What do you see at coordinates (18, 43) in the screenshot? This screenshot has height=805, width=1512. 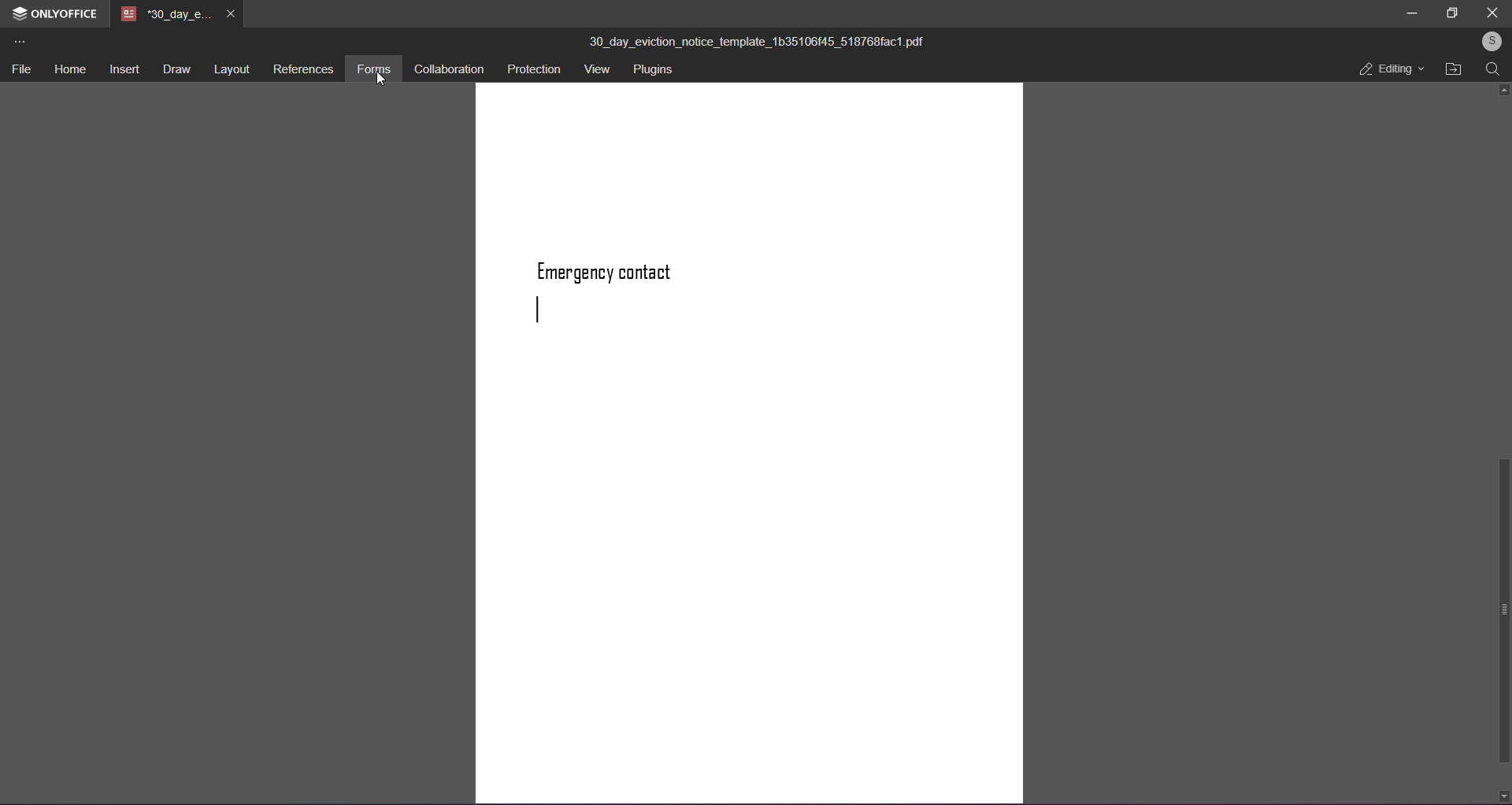 I see `more` at bounding box center [18, 43].